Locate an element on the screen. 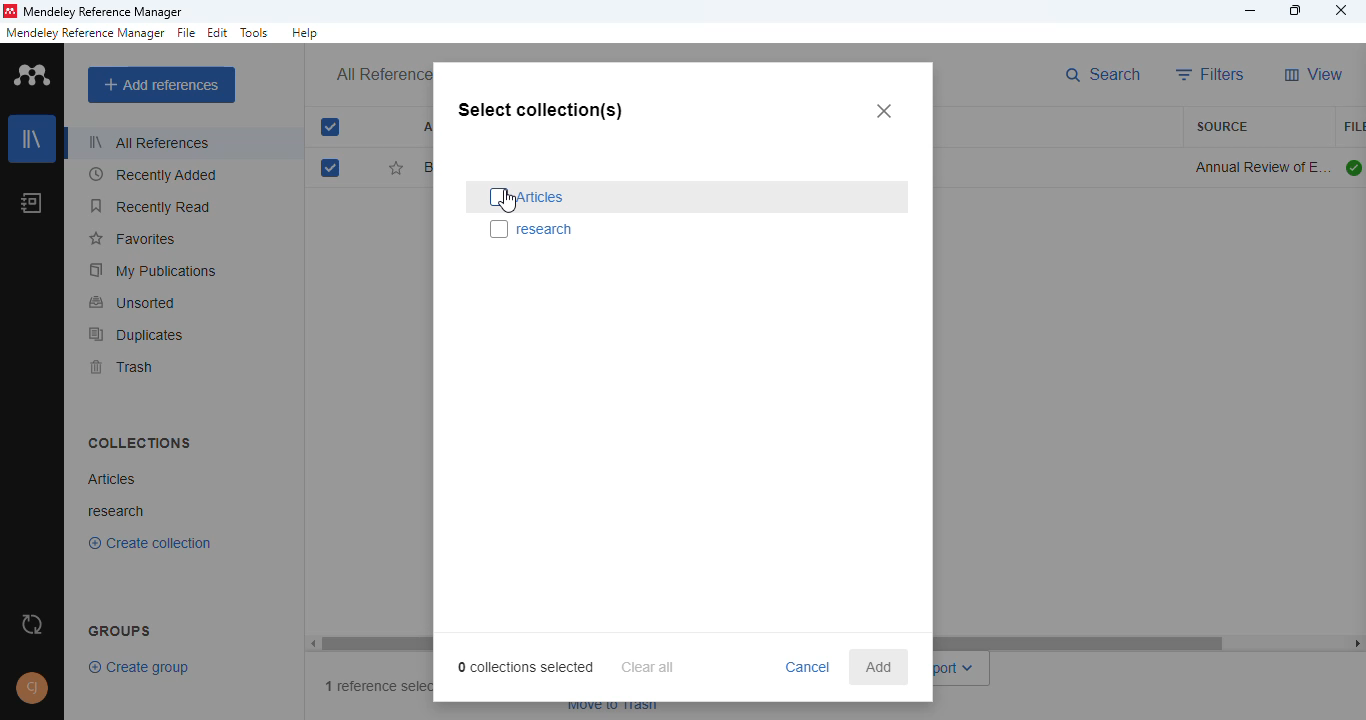  search is located at coordinates (1104, 75).